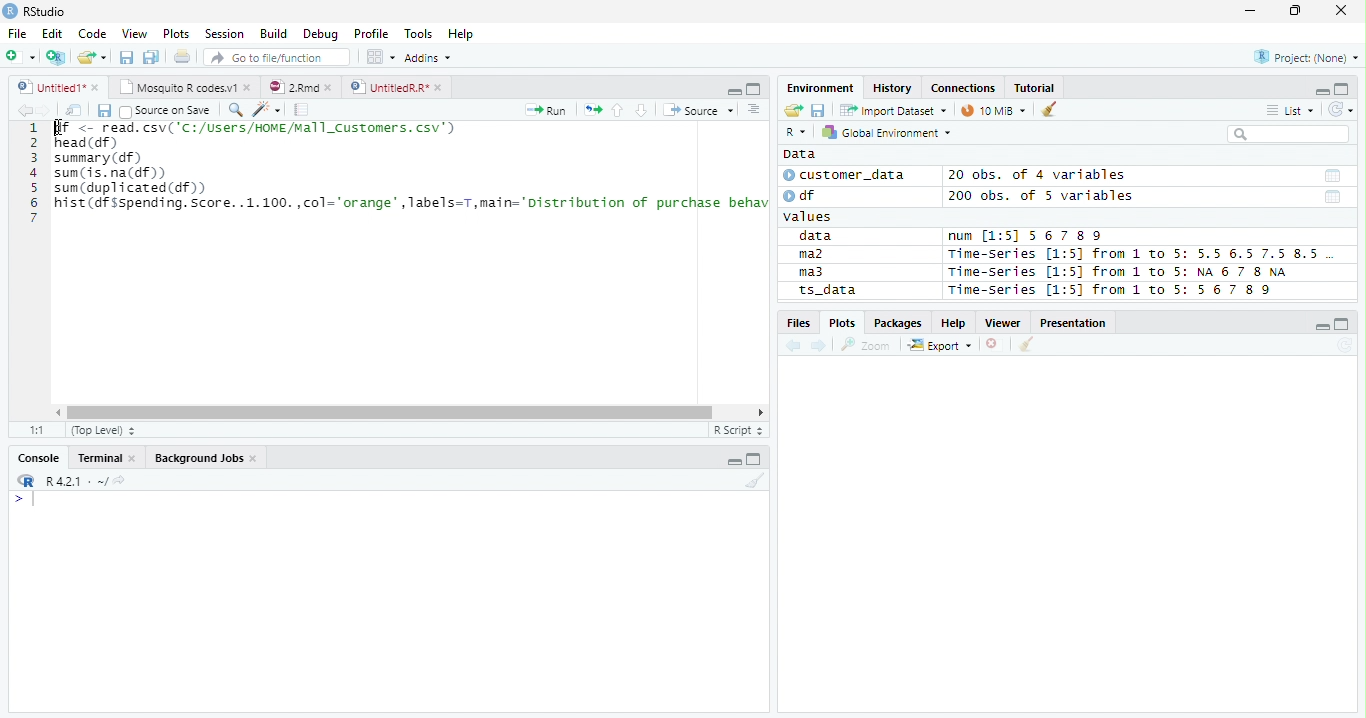  I want to click on Help, so click(954, 324).